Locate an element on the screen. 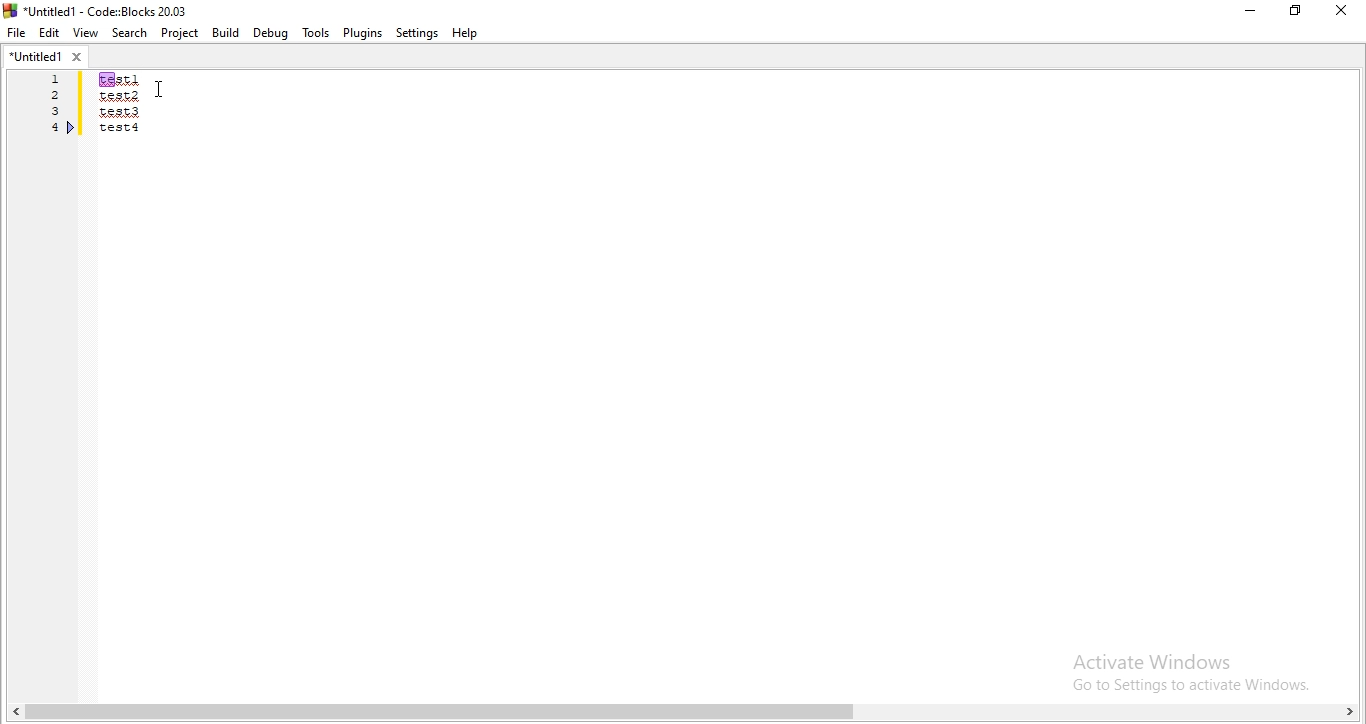  Test 1, test 2, test 3, test 4 is located at coordinates (146, 119).